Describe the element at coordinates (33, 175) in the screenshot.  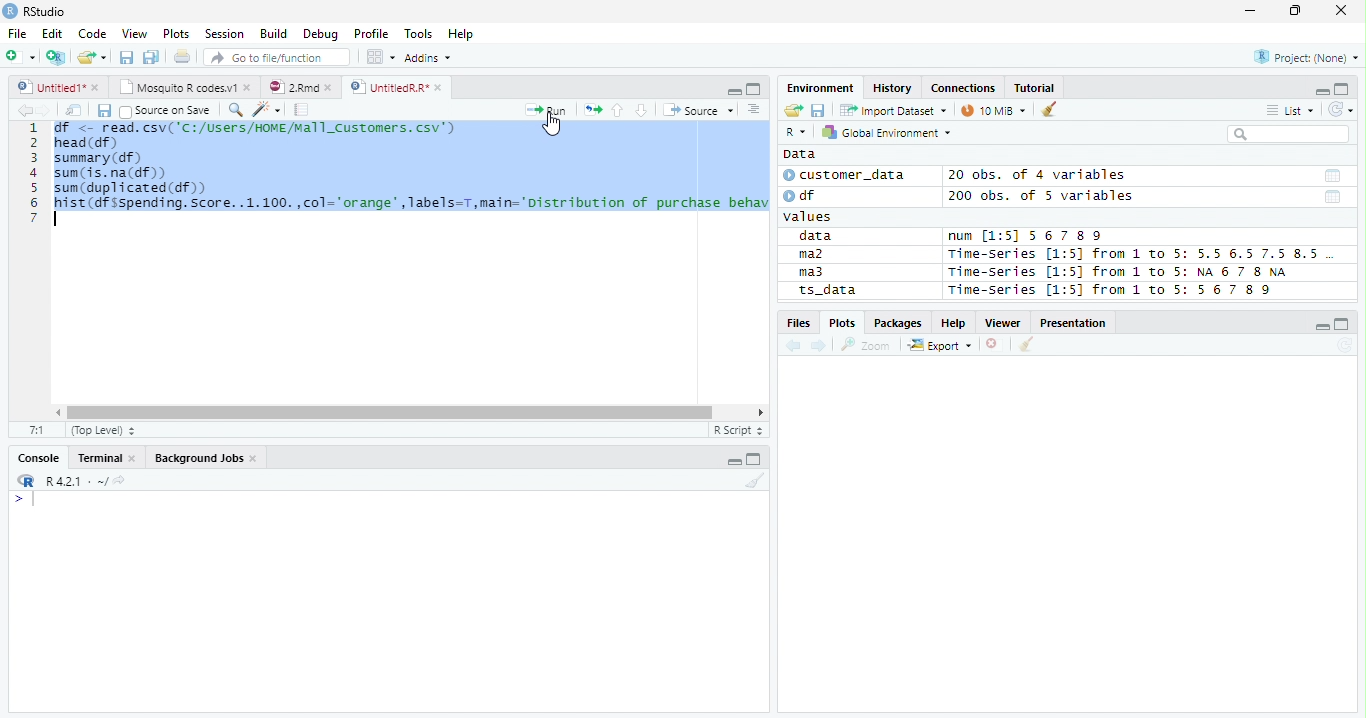
I see `Row Number` at that location.